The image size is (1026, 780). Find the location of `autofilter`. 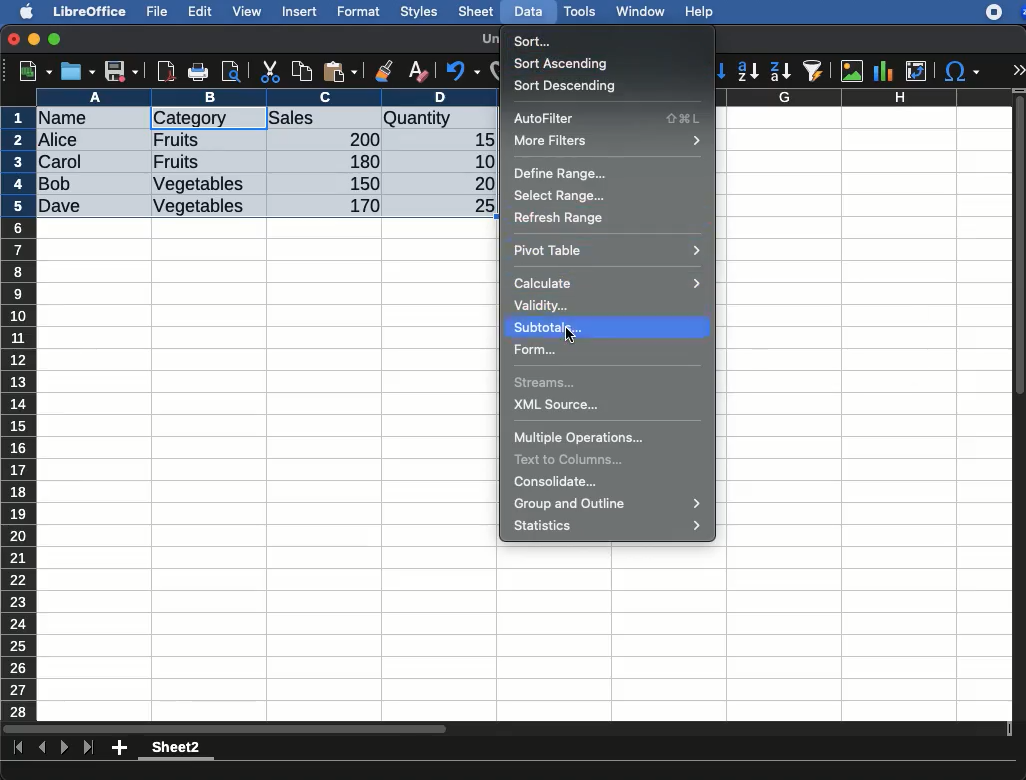

autofilter is located at coordinates (609, 119).